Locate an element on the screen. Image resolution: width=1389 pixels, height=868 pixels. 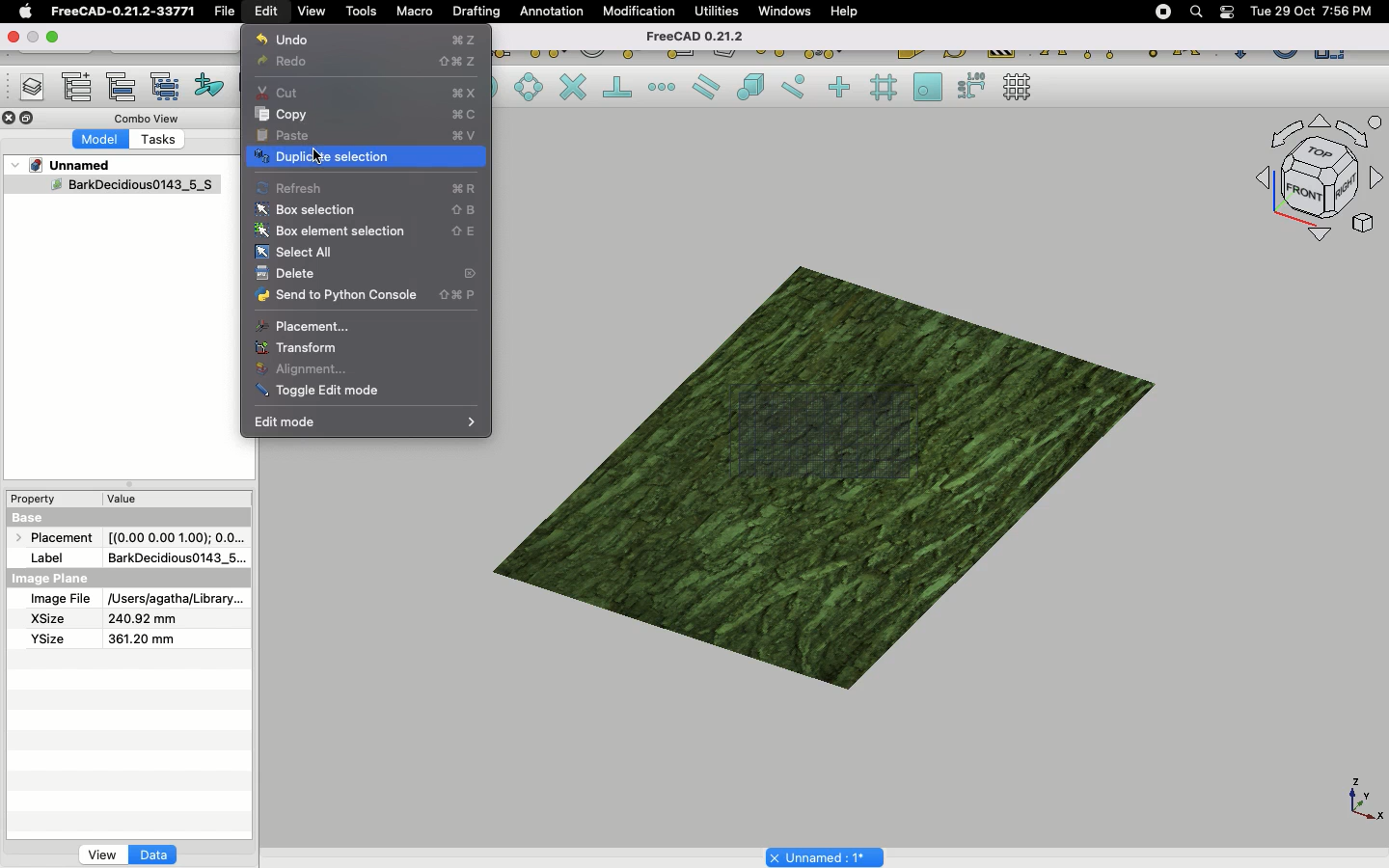
Snap ortho is located at coordinates (842, 89).